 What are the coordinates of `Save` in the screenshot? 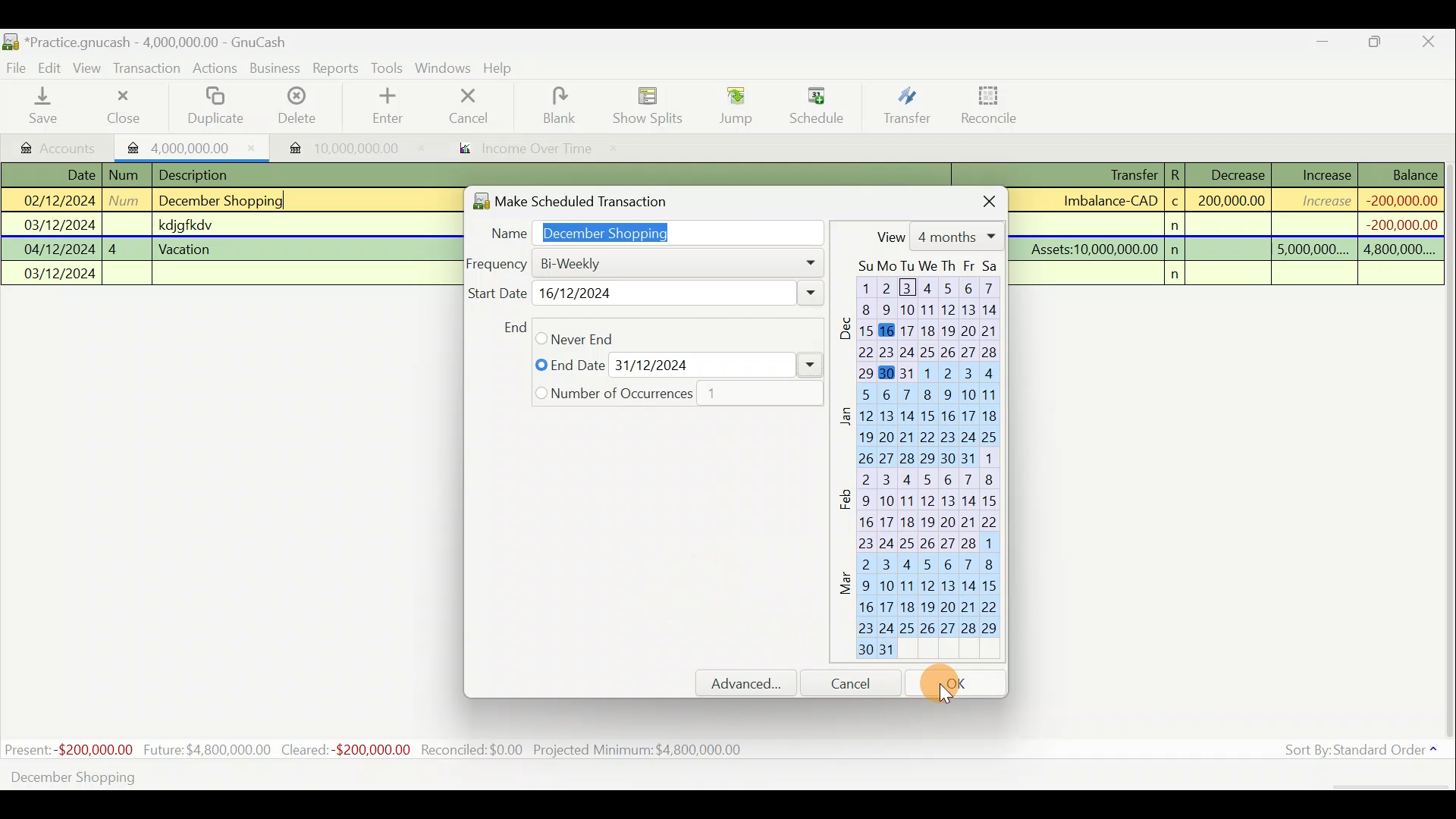 It's located at (46, 105).